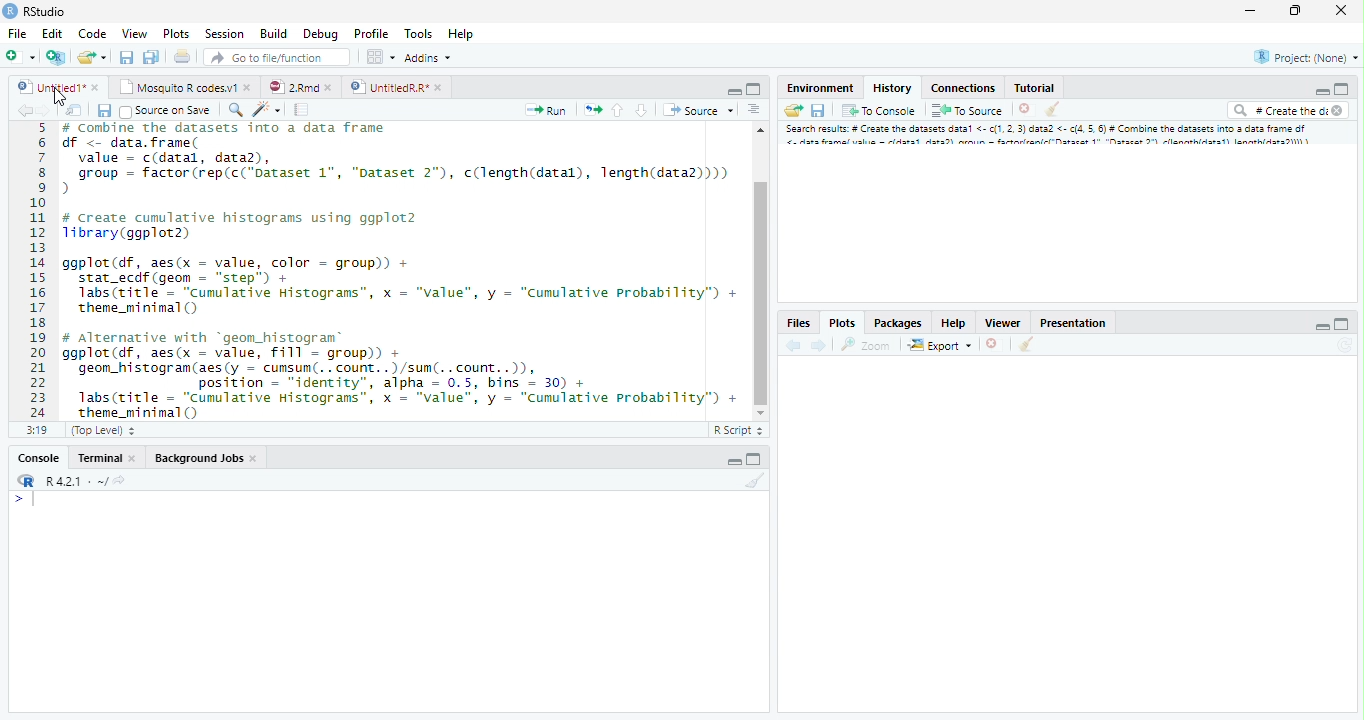  What do you see at coordinates (420, 35) in the screenshot?
I see `Tools` at bounding box center [420, 35].